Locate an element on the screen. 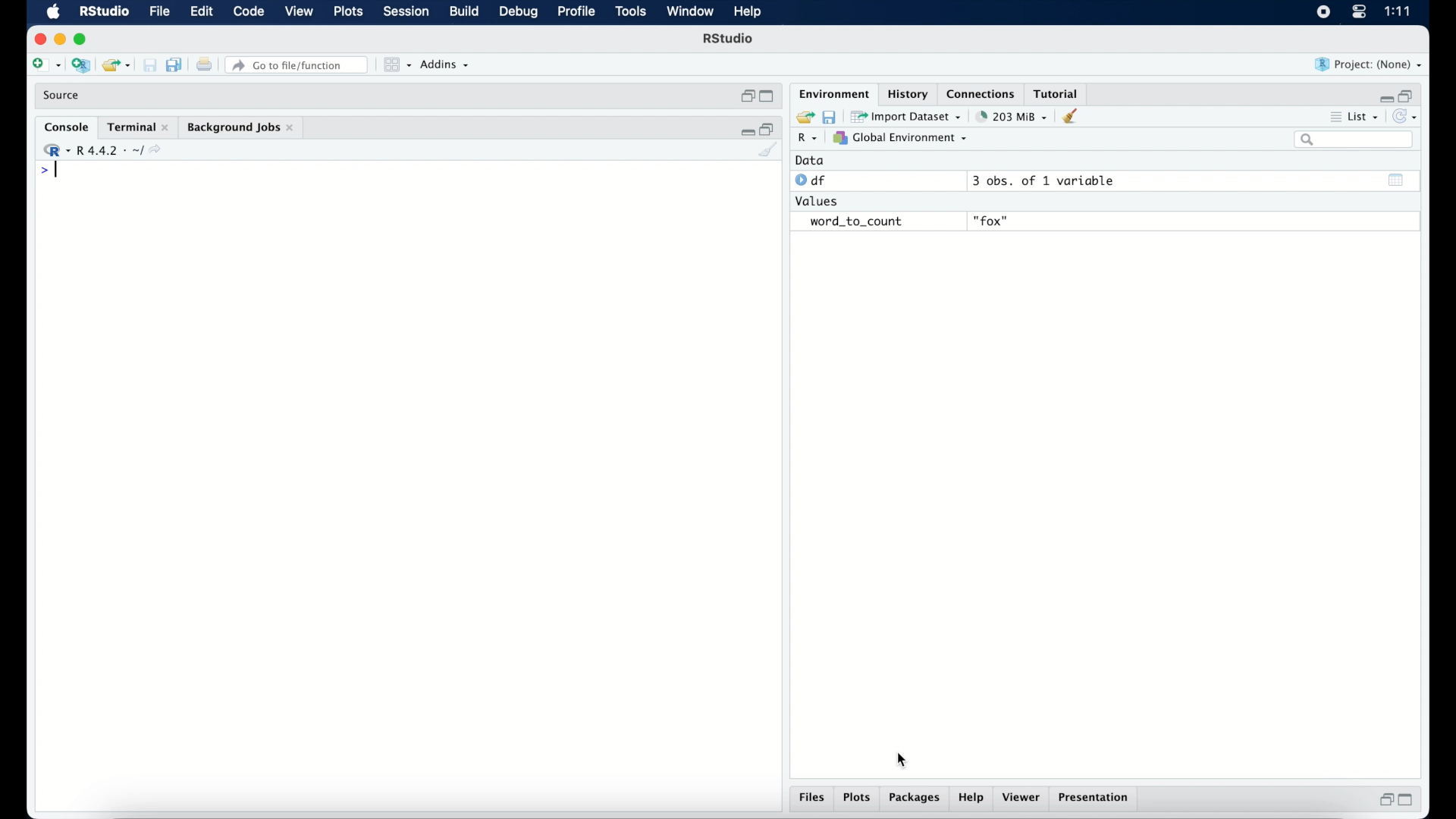  addins is located at coordinates (445, 64).